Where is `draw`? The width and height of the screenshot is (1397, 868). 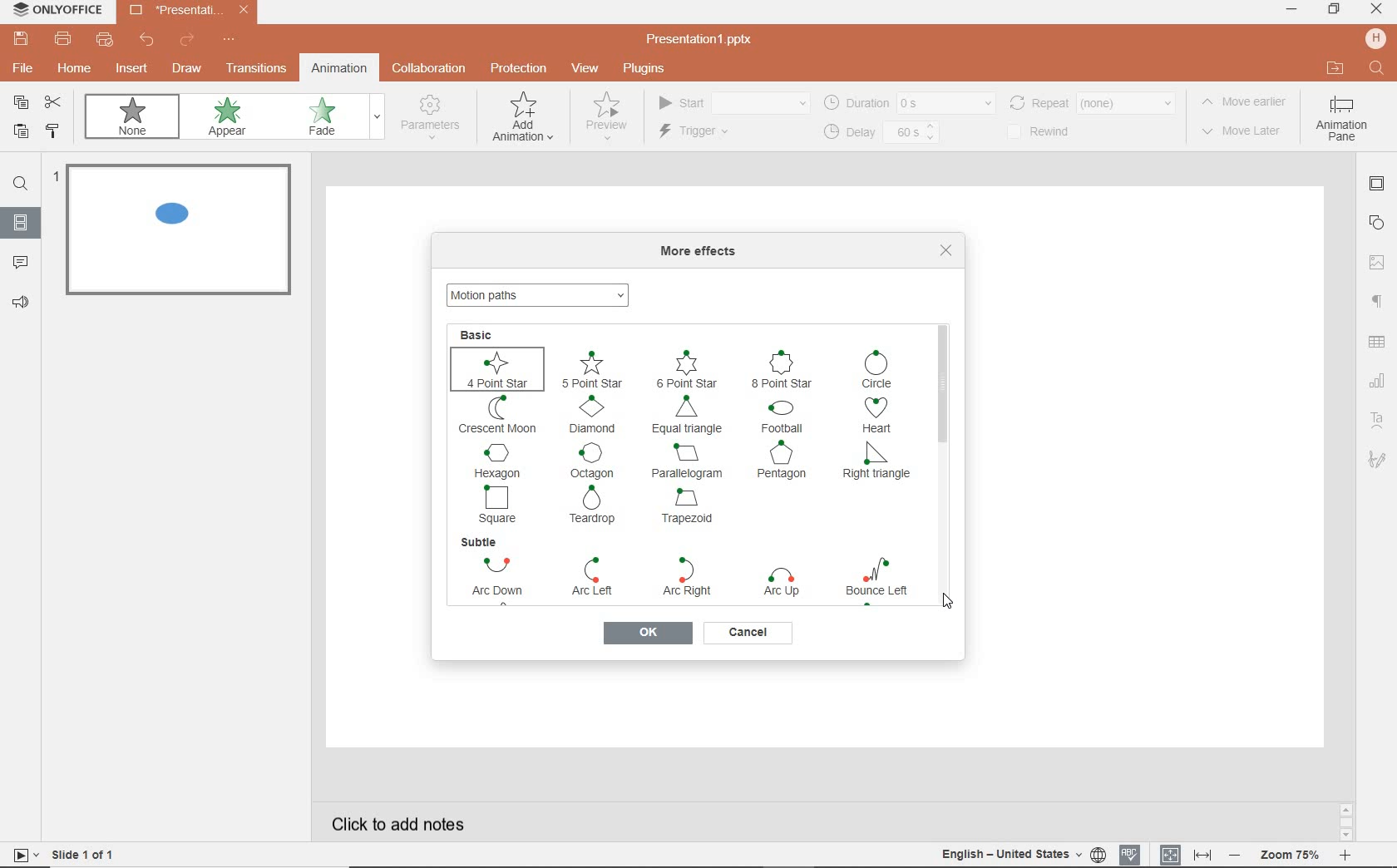
draw is located at coordinates (187, 68).